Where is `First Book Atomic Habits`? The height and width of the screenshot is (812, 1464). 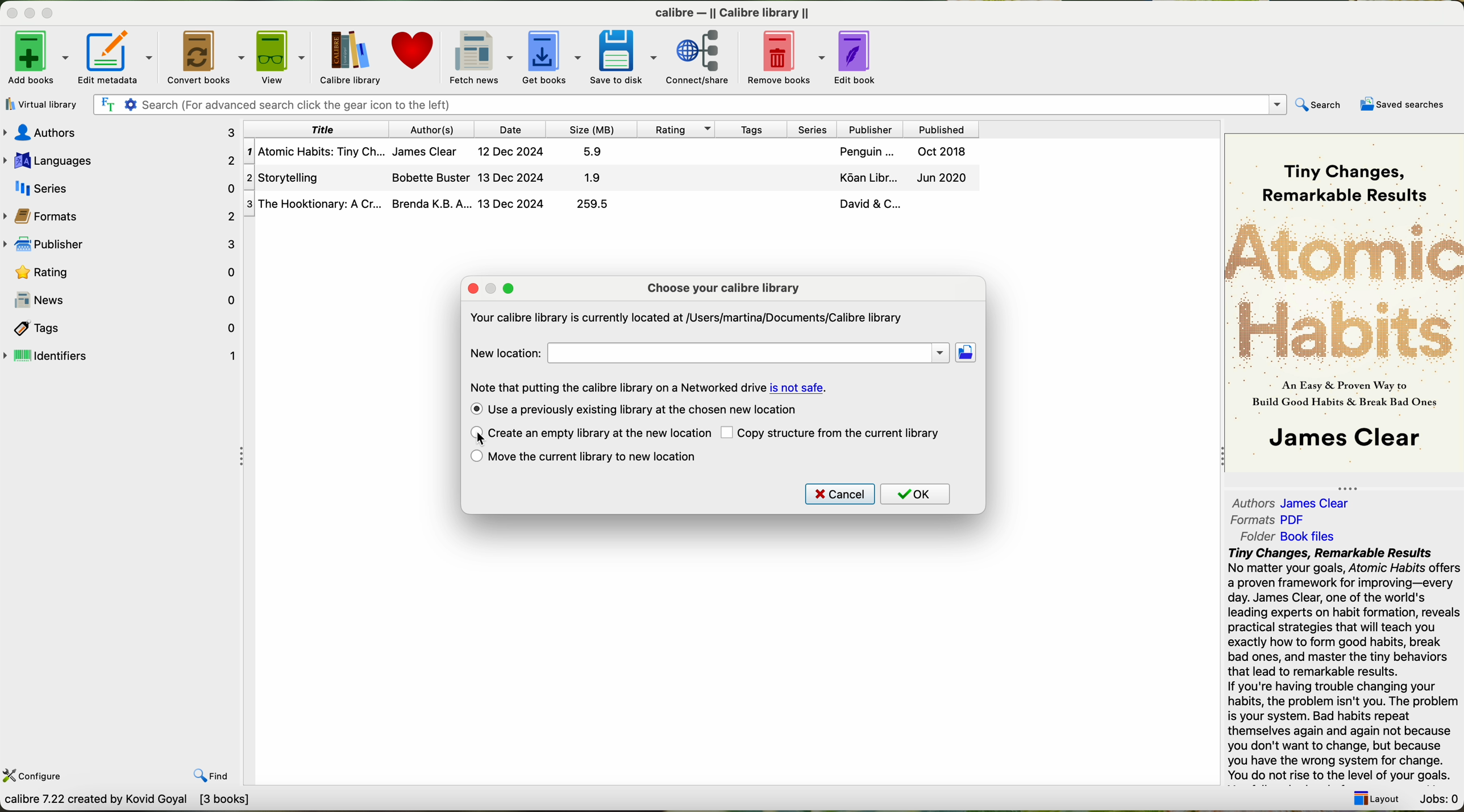 First Book Atomic Habits is located at coordinates (615, 153).